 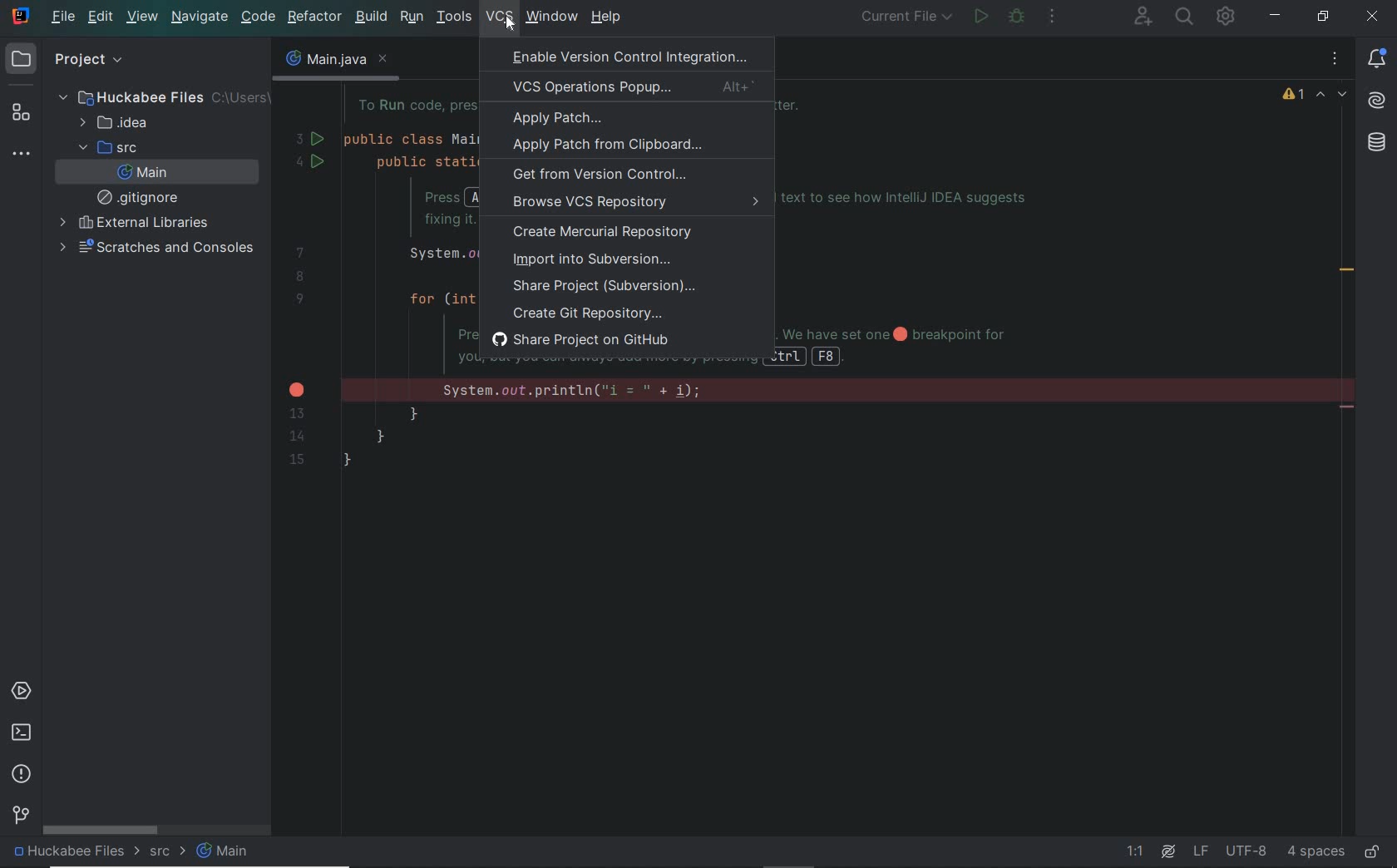 I want to click on recent files, tab actions, so click(x=1336, y=62).